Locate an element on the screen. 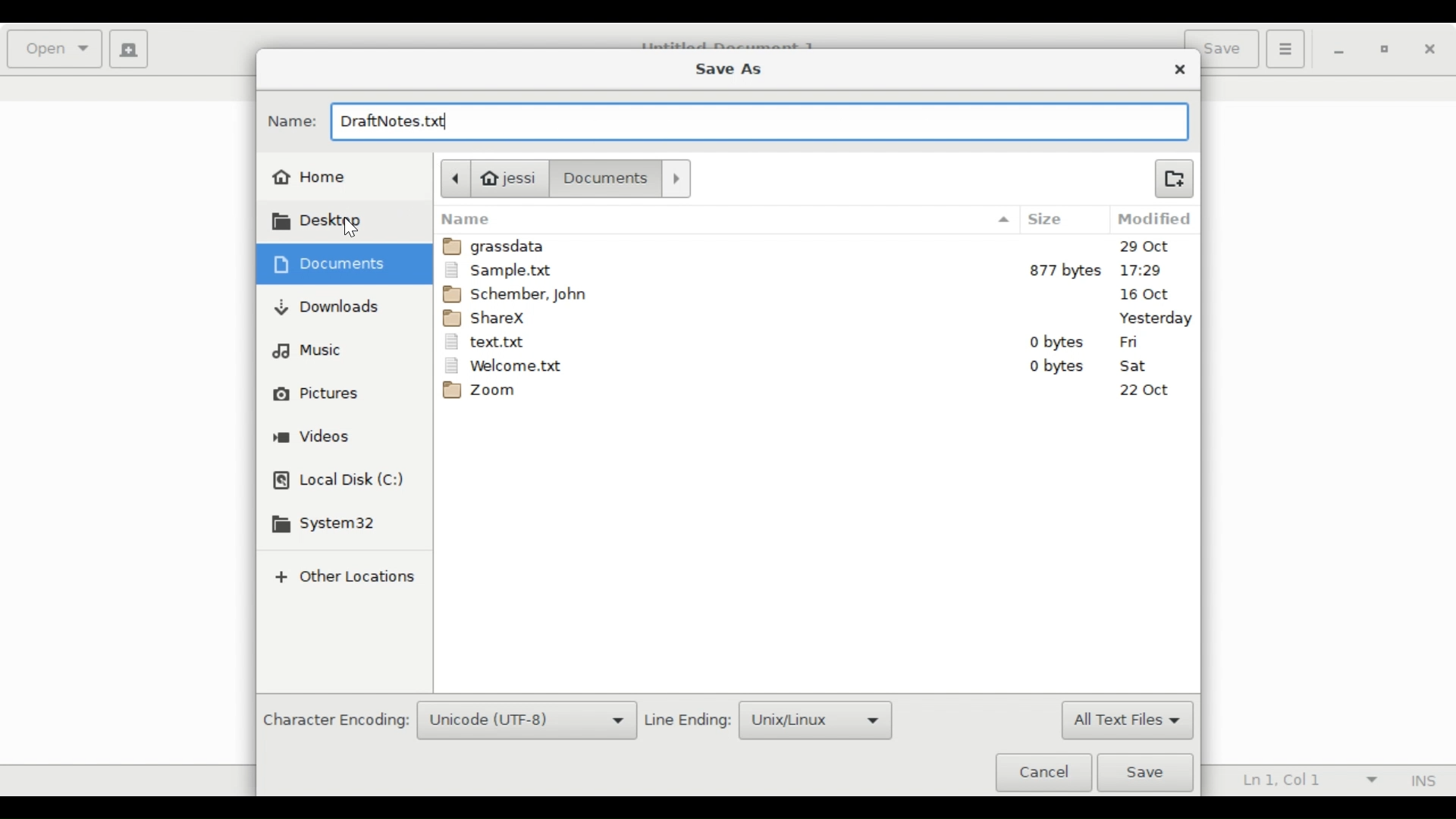 The width and height of the screenshot is (1456, 819). Open is located at coordinates (56, 49).